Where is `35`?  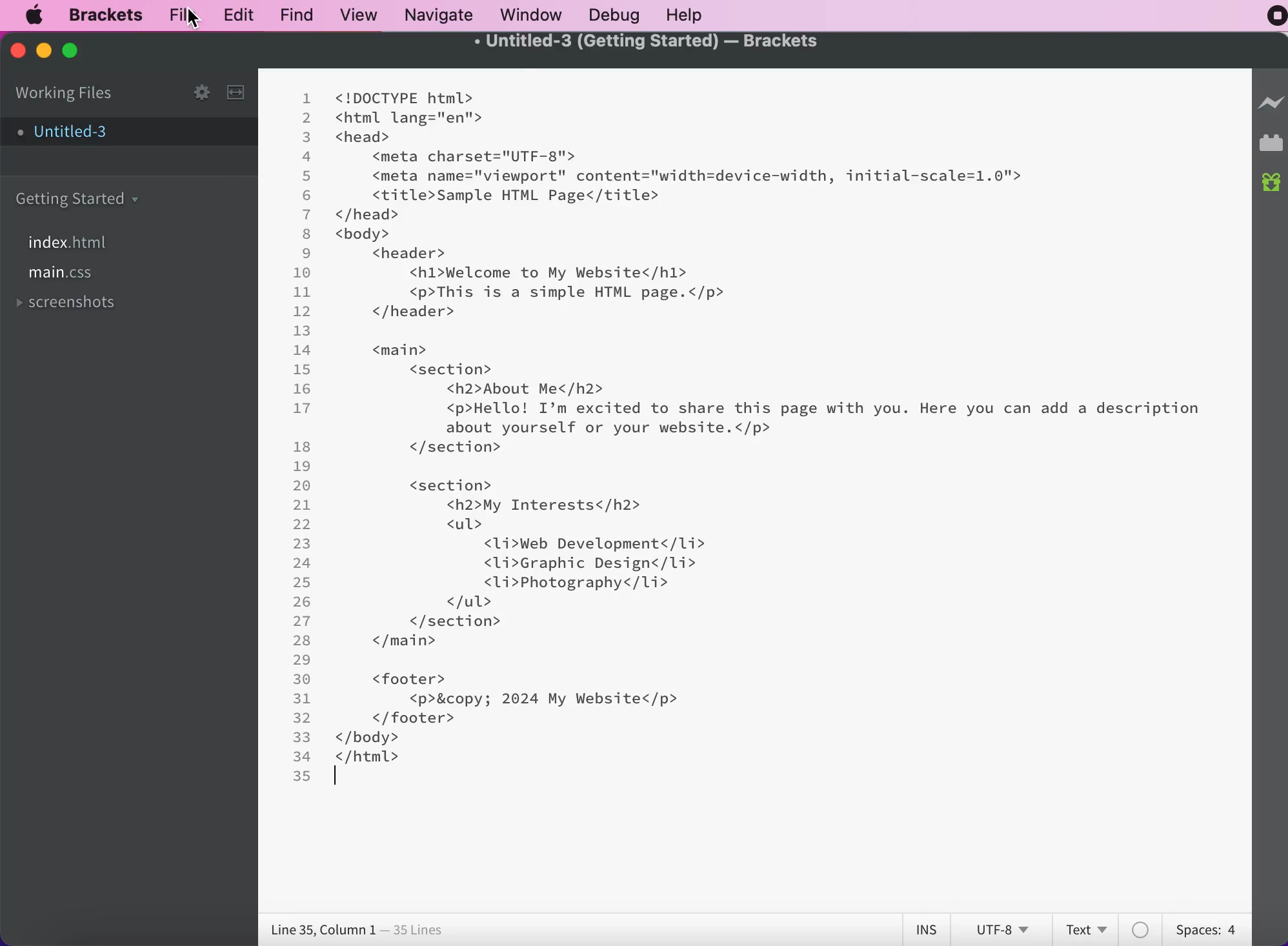 35 is located at coordinates (302, 776).